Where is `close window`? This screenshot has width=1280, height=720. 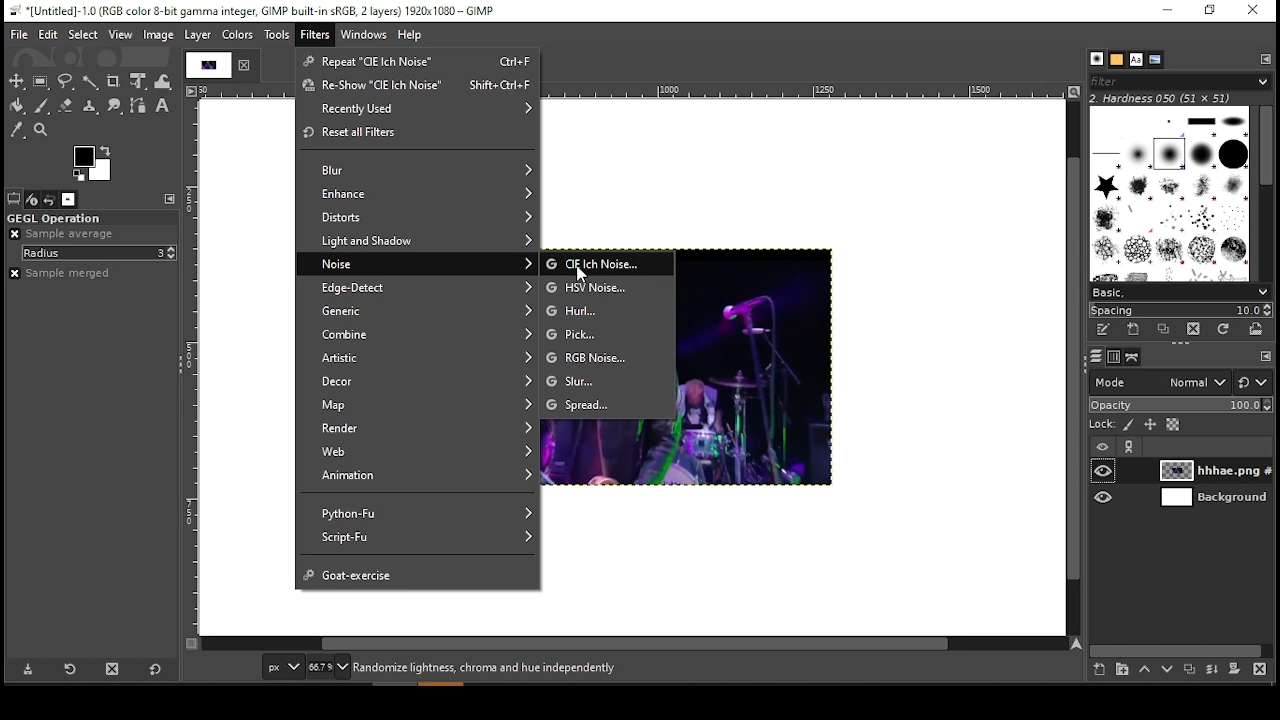 close window is located at coordinates (1254, 11).